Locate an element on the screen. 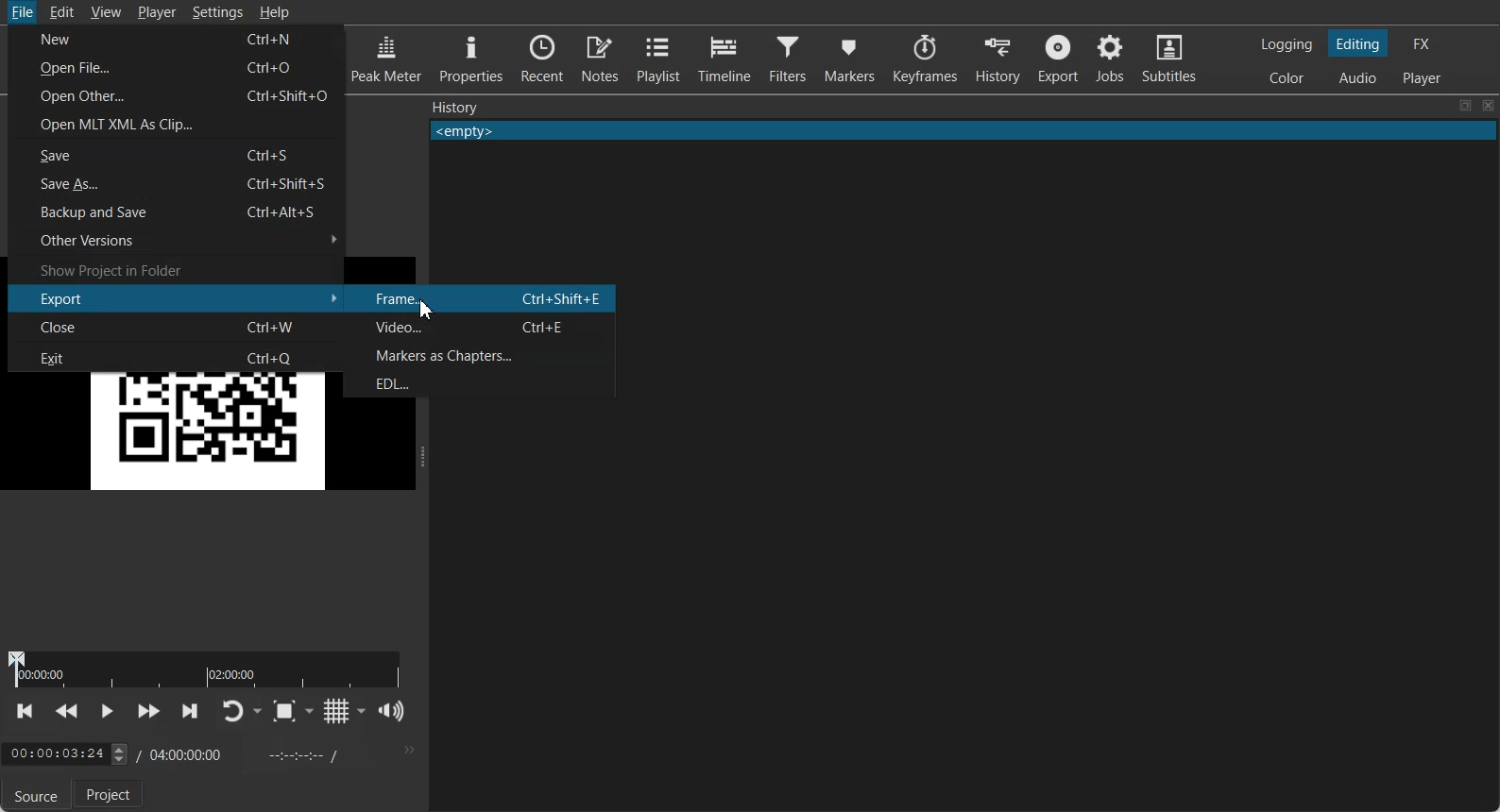 This screenshot has height=812, width=1500. Exit is located at coordinates (104, 355).